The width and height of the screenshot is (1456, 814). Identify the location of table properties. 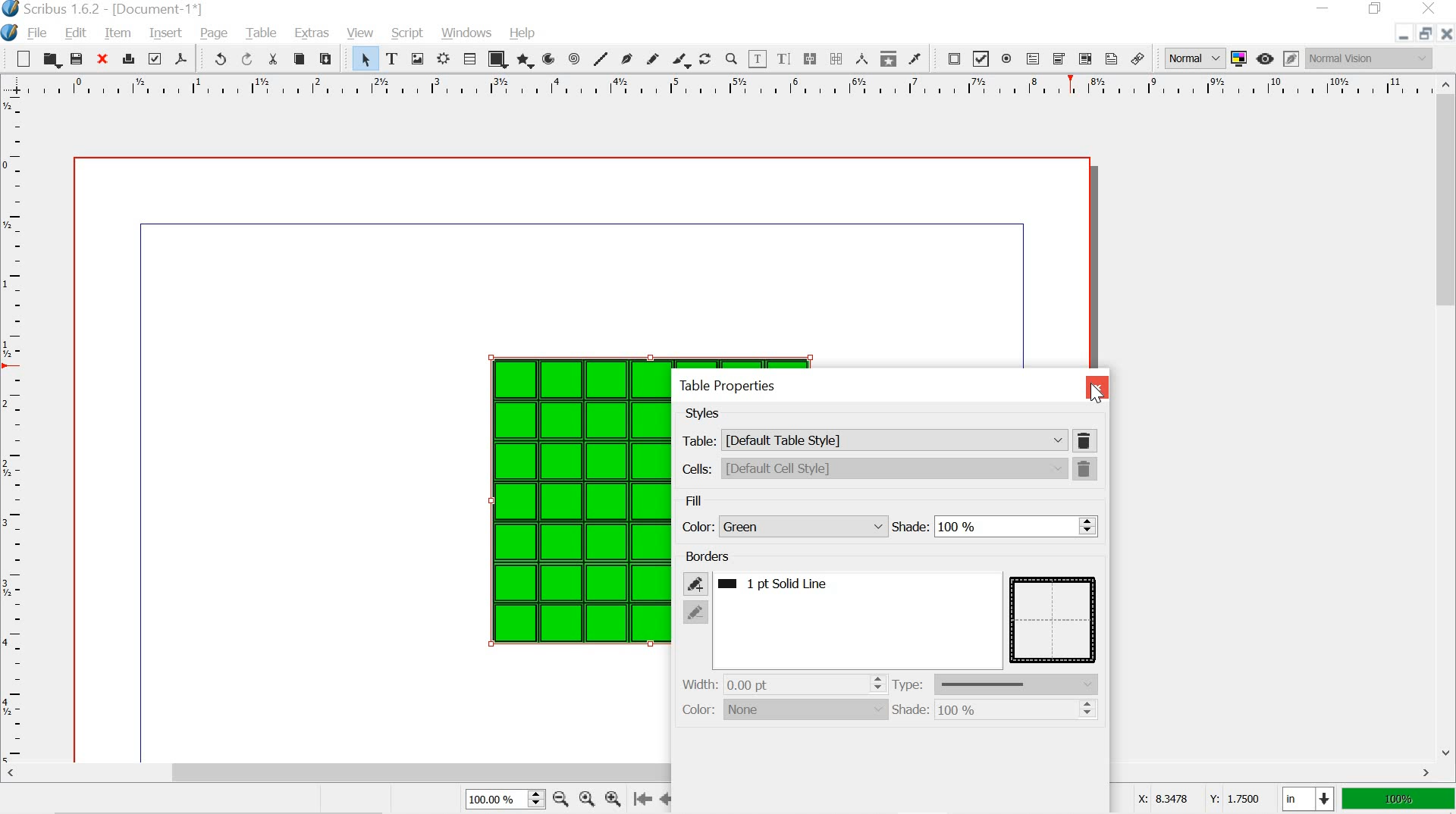
(725, 387).